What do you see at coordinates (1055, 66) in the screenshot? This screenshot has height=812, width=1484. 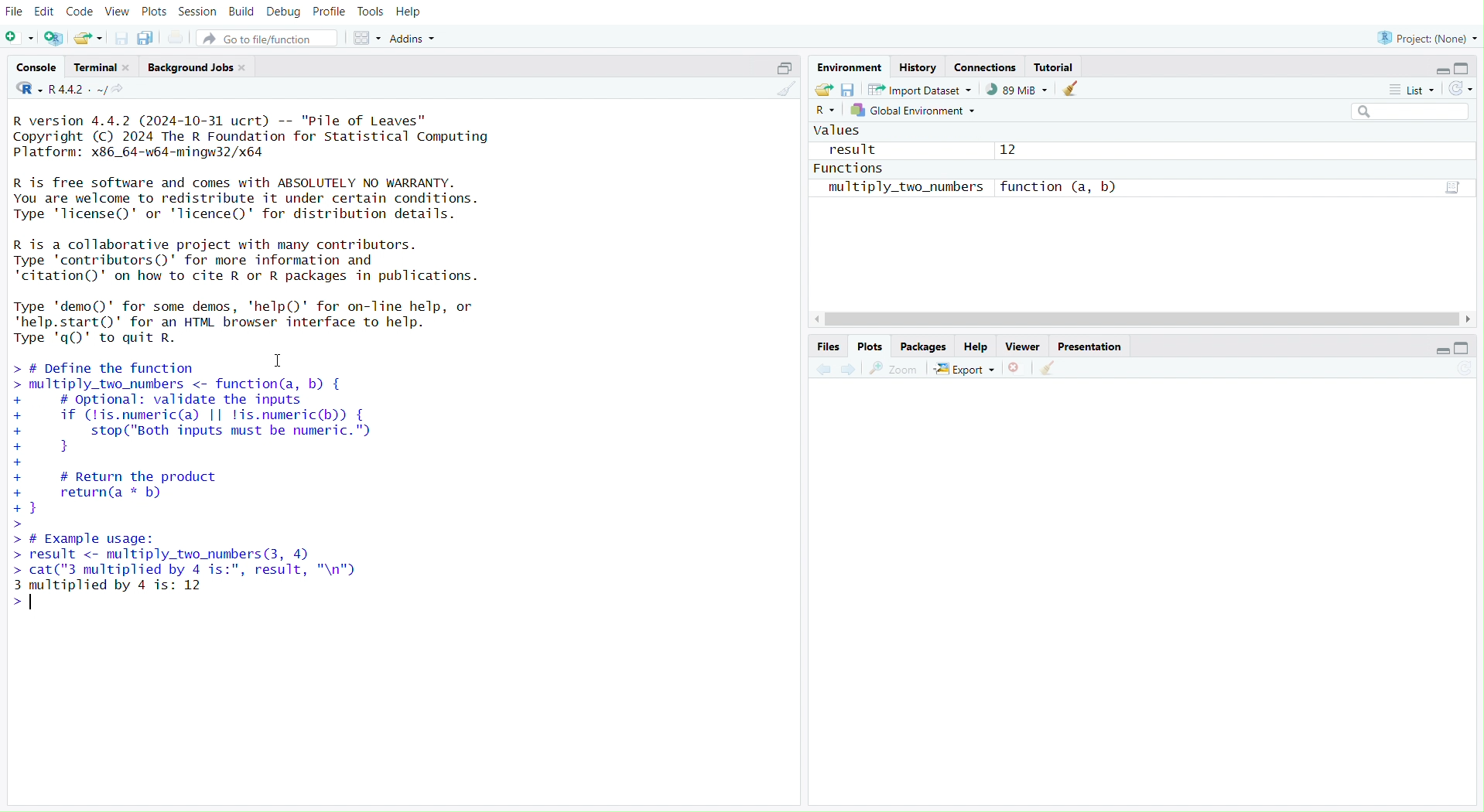 I see `Tutorial` at bounding box center [1055, 66].